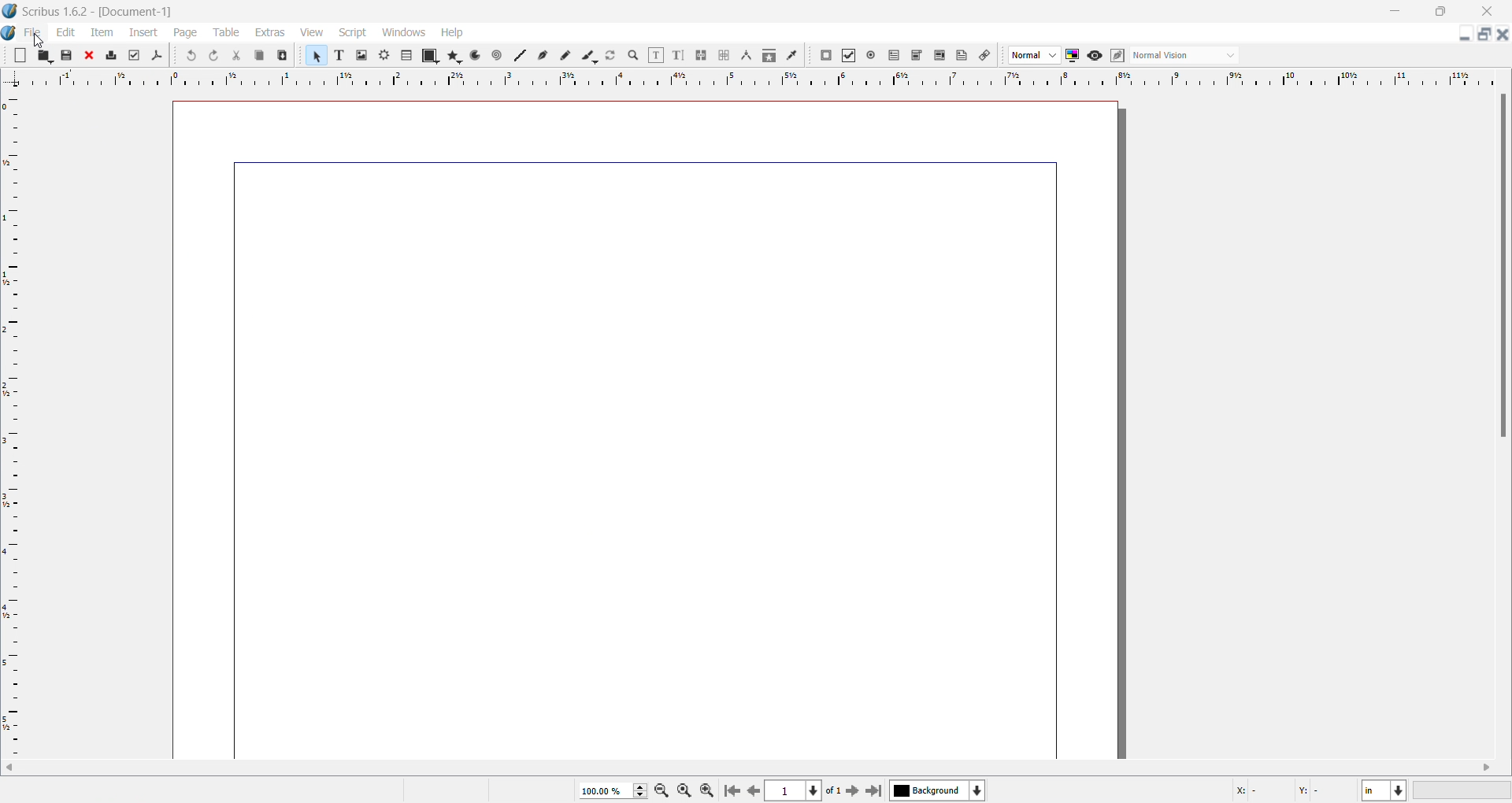 The height and width of the screenshot is (803, 1512). Describe the element at coordinates (611, 790) in the screenshot. I see `zoom size` at that location.